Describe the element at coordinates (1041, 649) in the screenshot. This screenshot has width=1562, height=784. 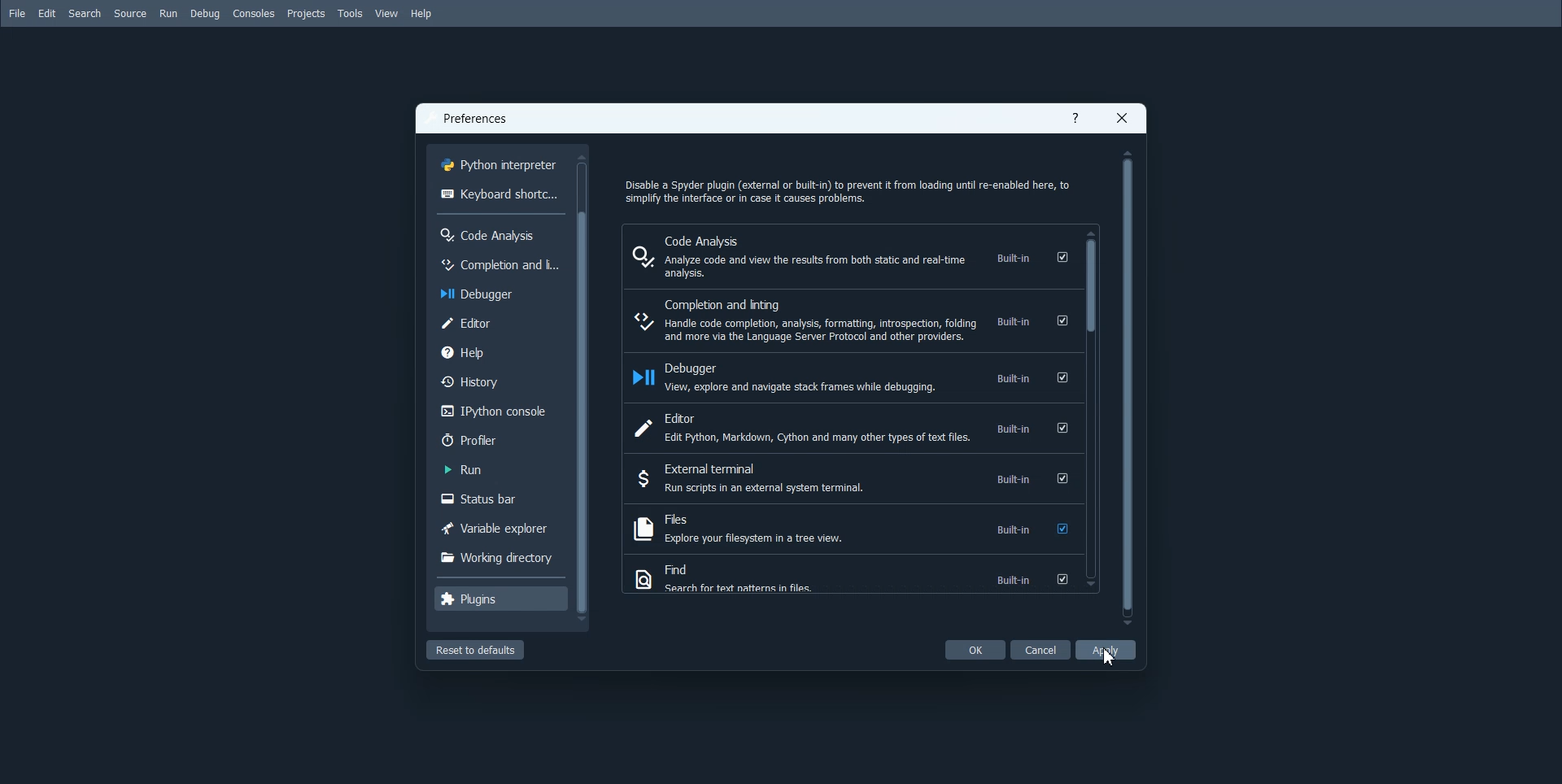
I see `Cancel` at that location.